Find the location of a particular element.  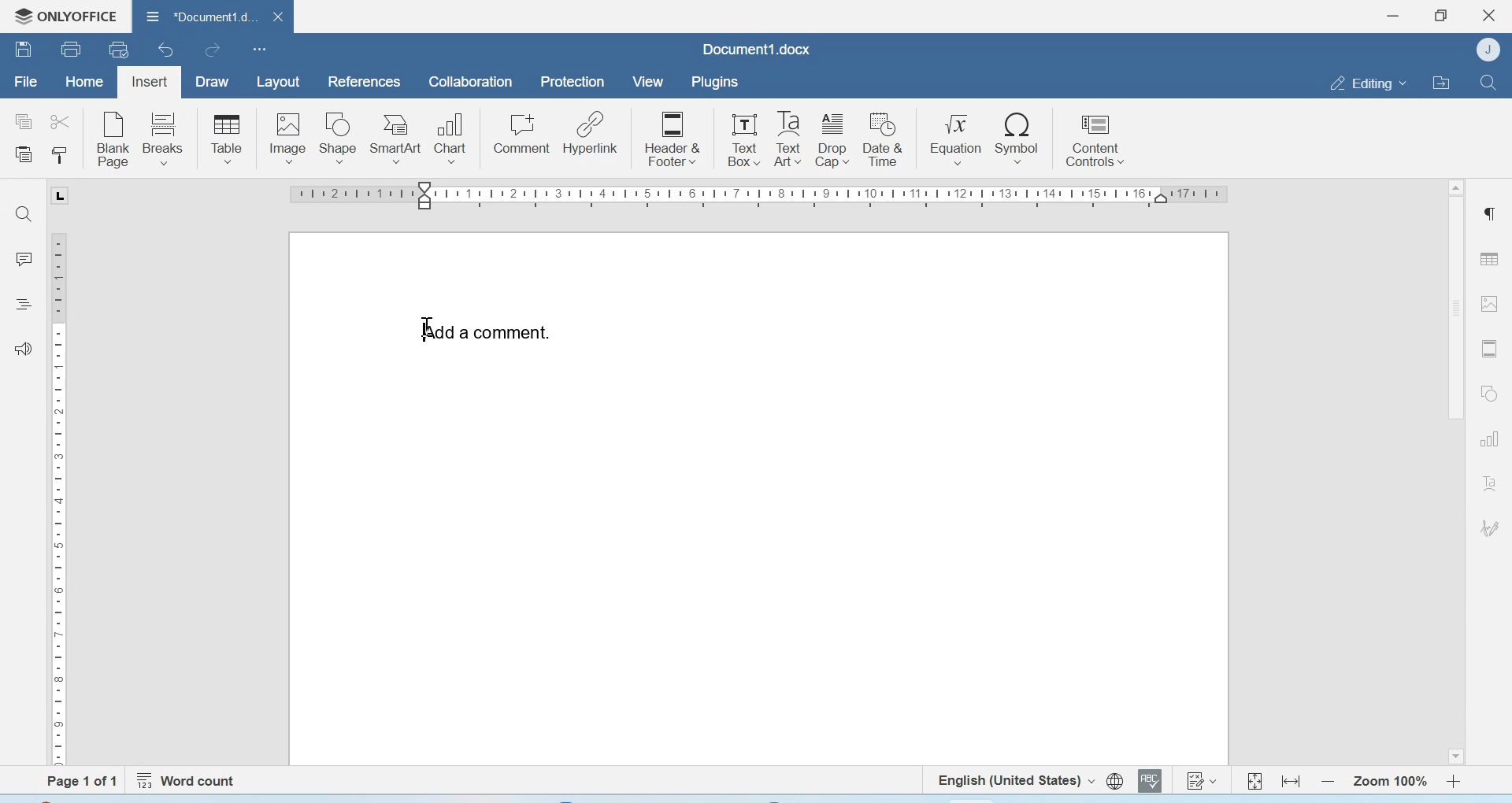

Shapes is located at coordinates (1492, 392).